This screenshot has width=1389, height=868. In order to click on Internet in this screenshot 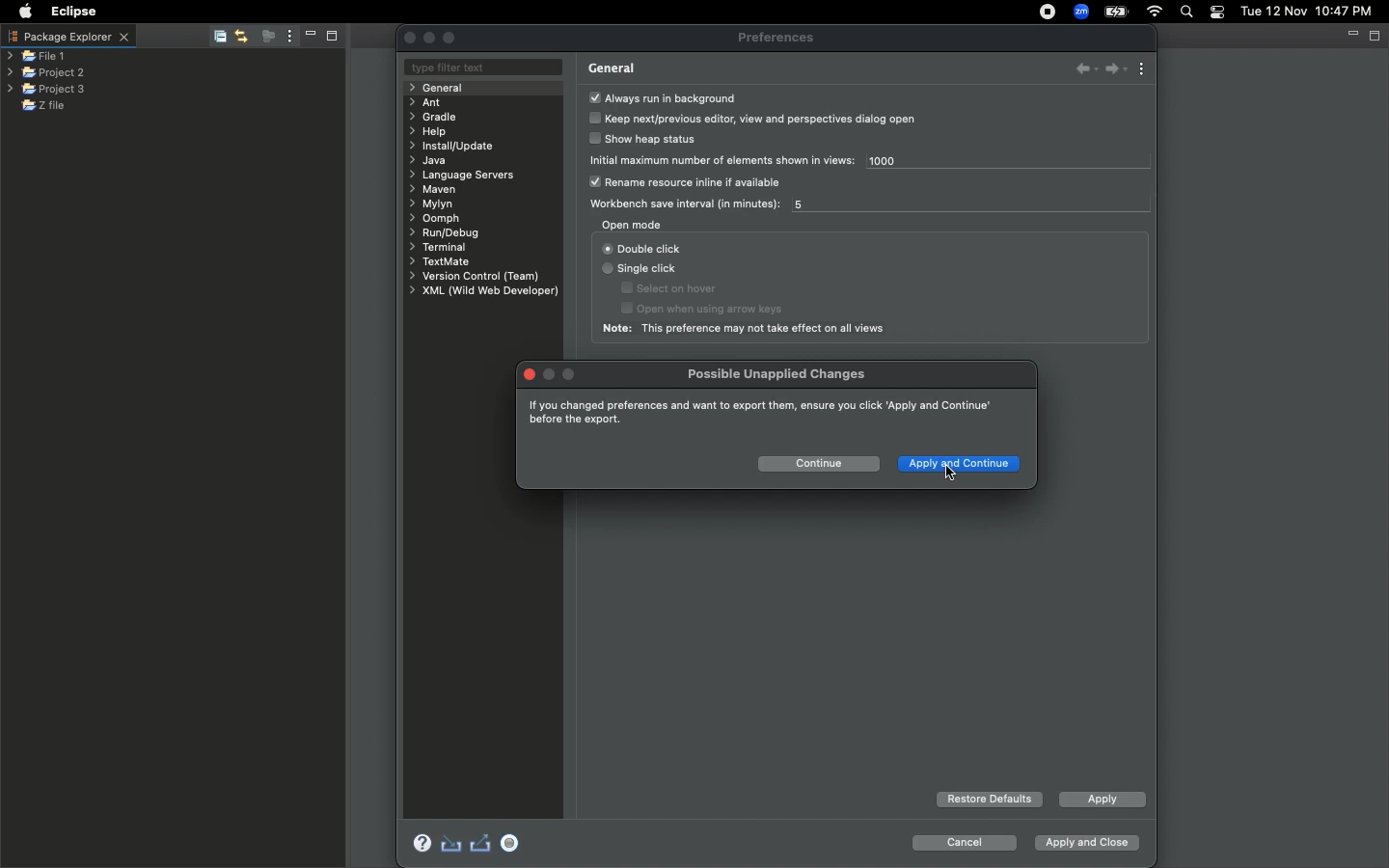, I will do `click(1157, 12)`.